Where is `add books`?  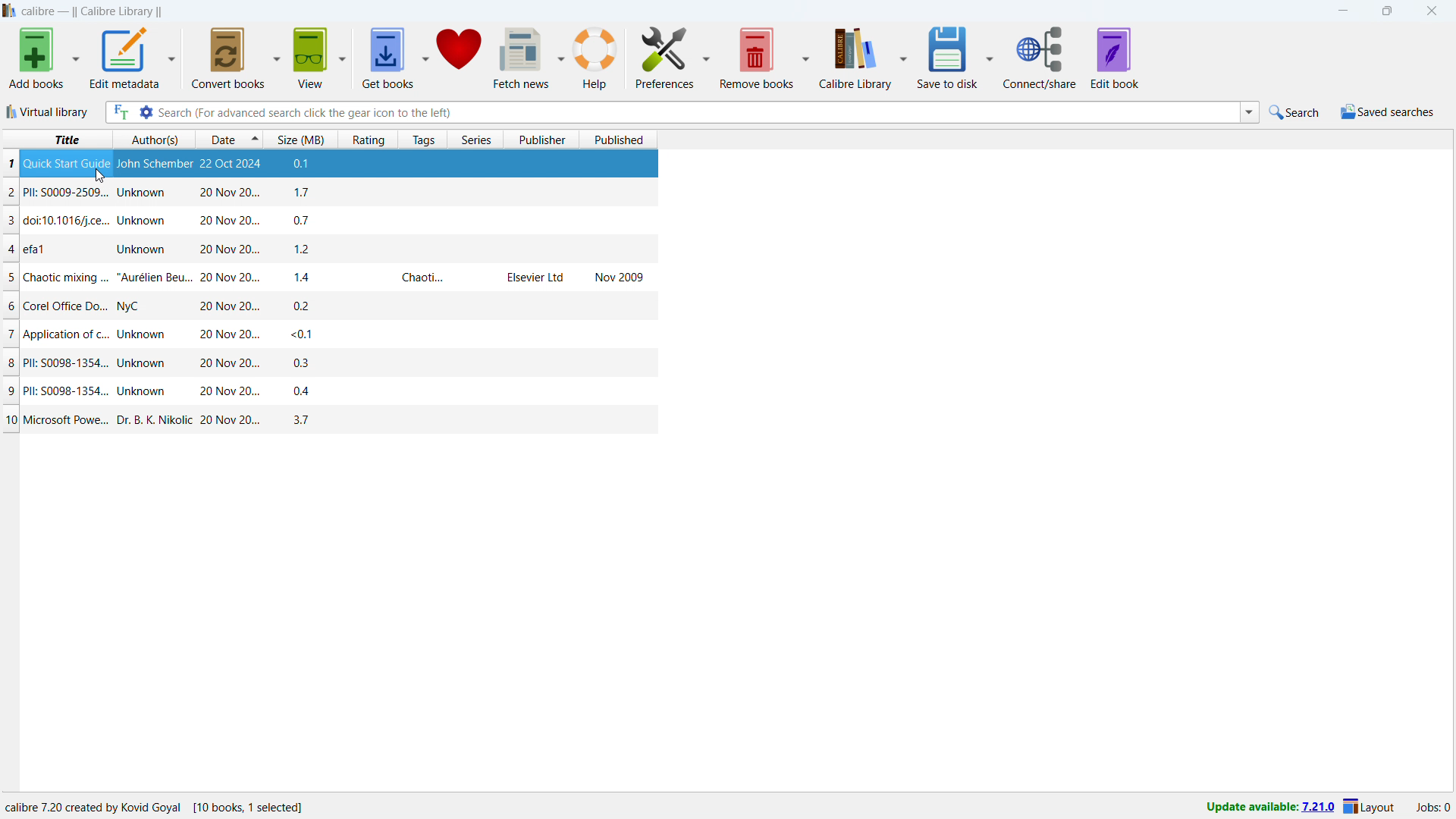
add books is located at coordinates (36, 57).